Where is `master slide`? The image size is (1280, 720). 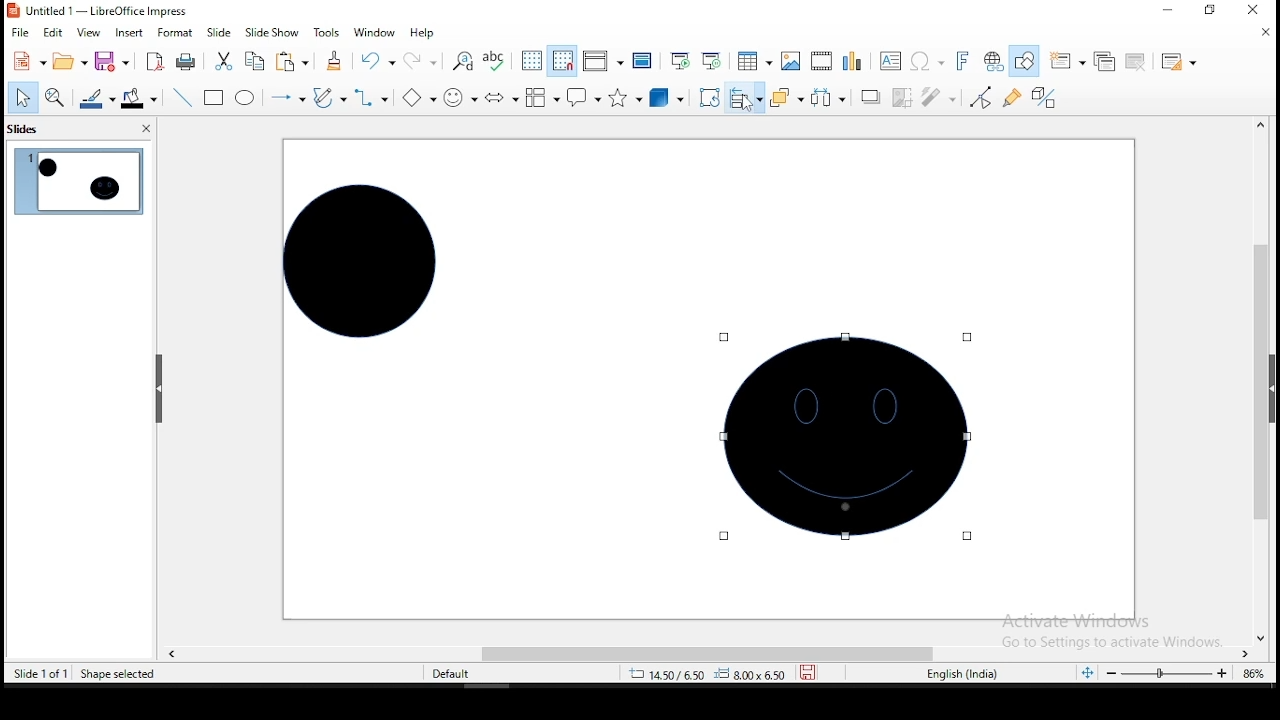
master slide is located at coordinates (641, 61).